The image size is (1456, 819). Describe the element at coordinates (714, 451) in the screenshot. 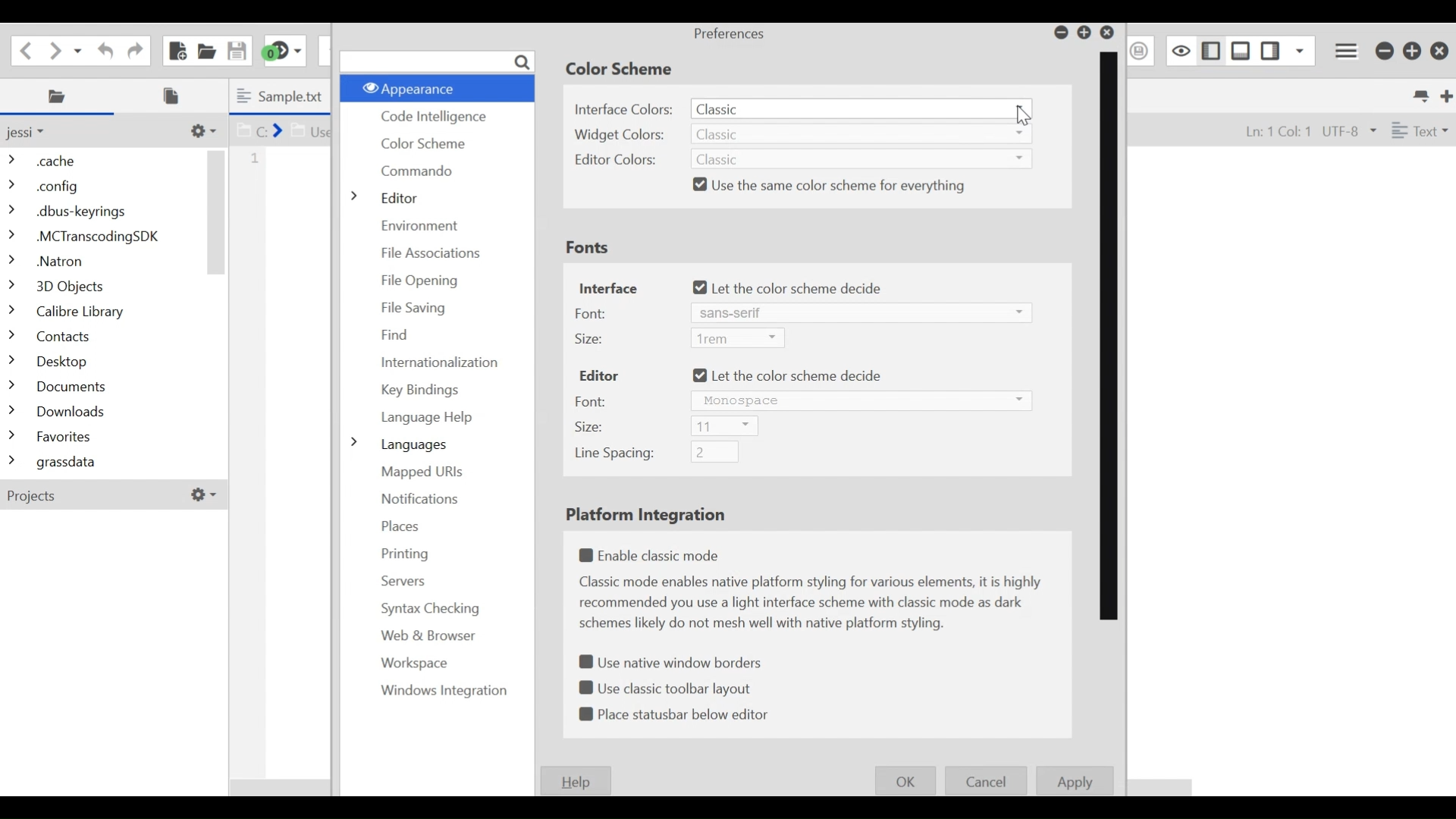

I see `Line Spacing Field` at that location.